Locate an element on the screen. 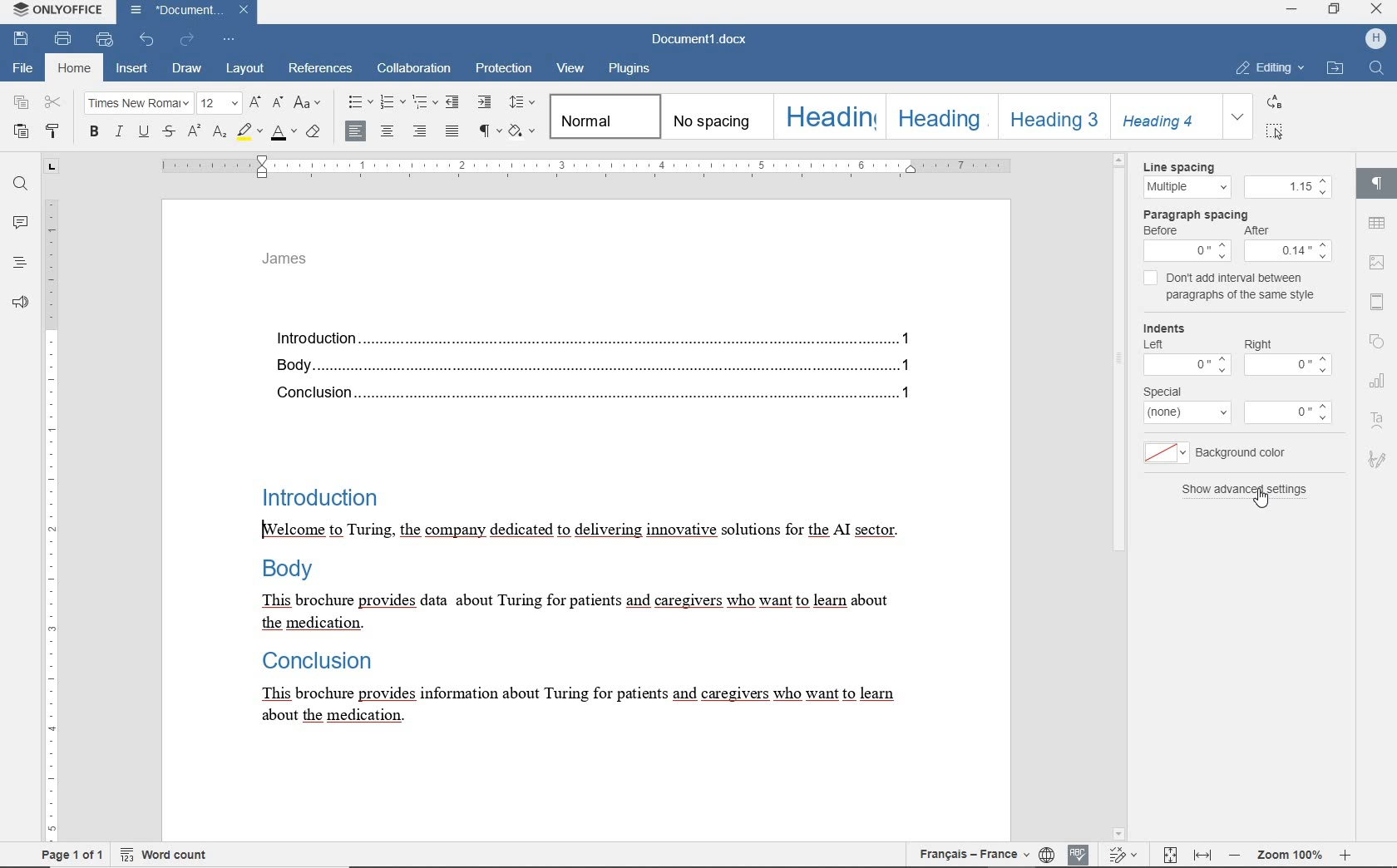  more options is located at coordinates (1163, 453).